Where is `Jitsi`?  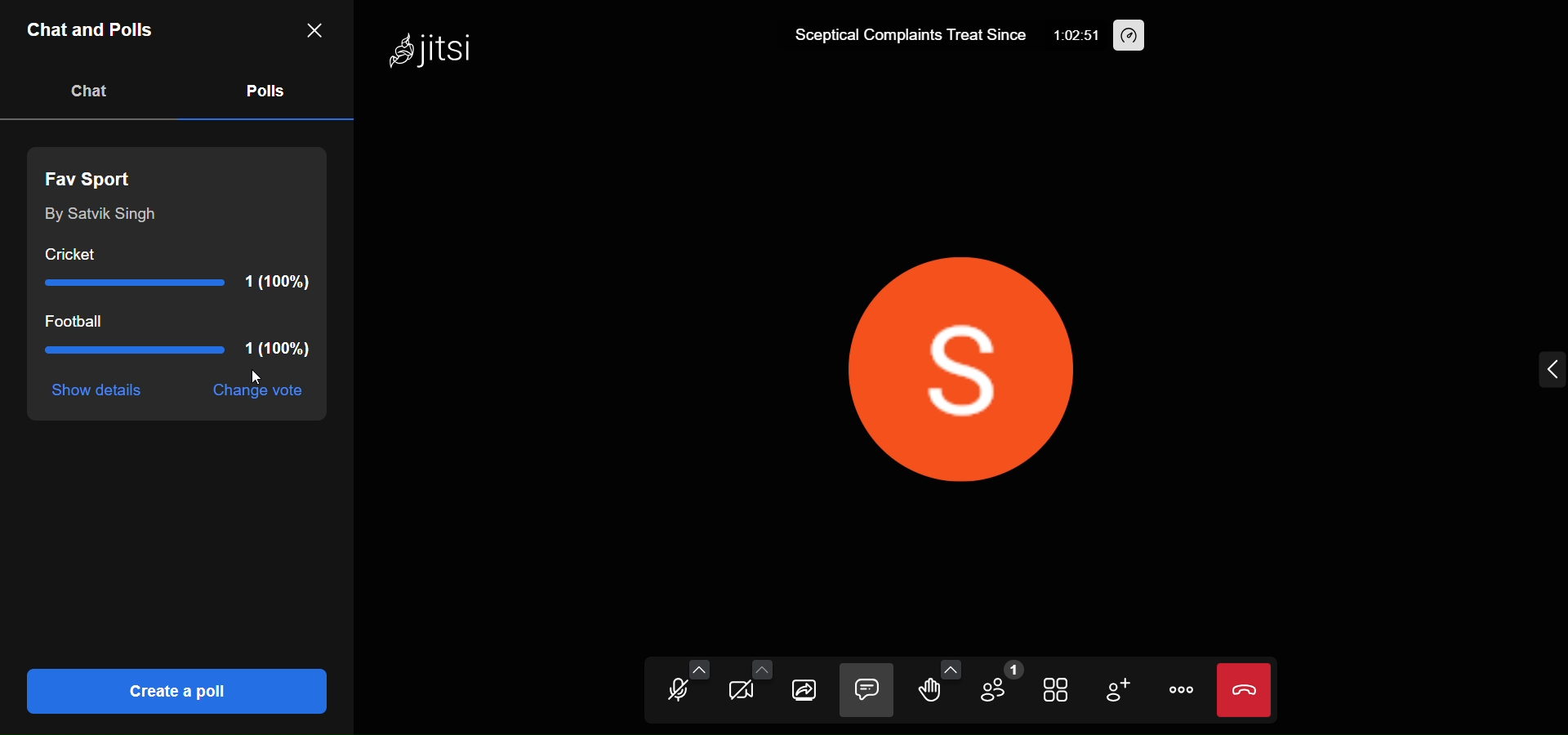
Jitsi is located at coordinates (433, 53).